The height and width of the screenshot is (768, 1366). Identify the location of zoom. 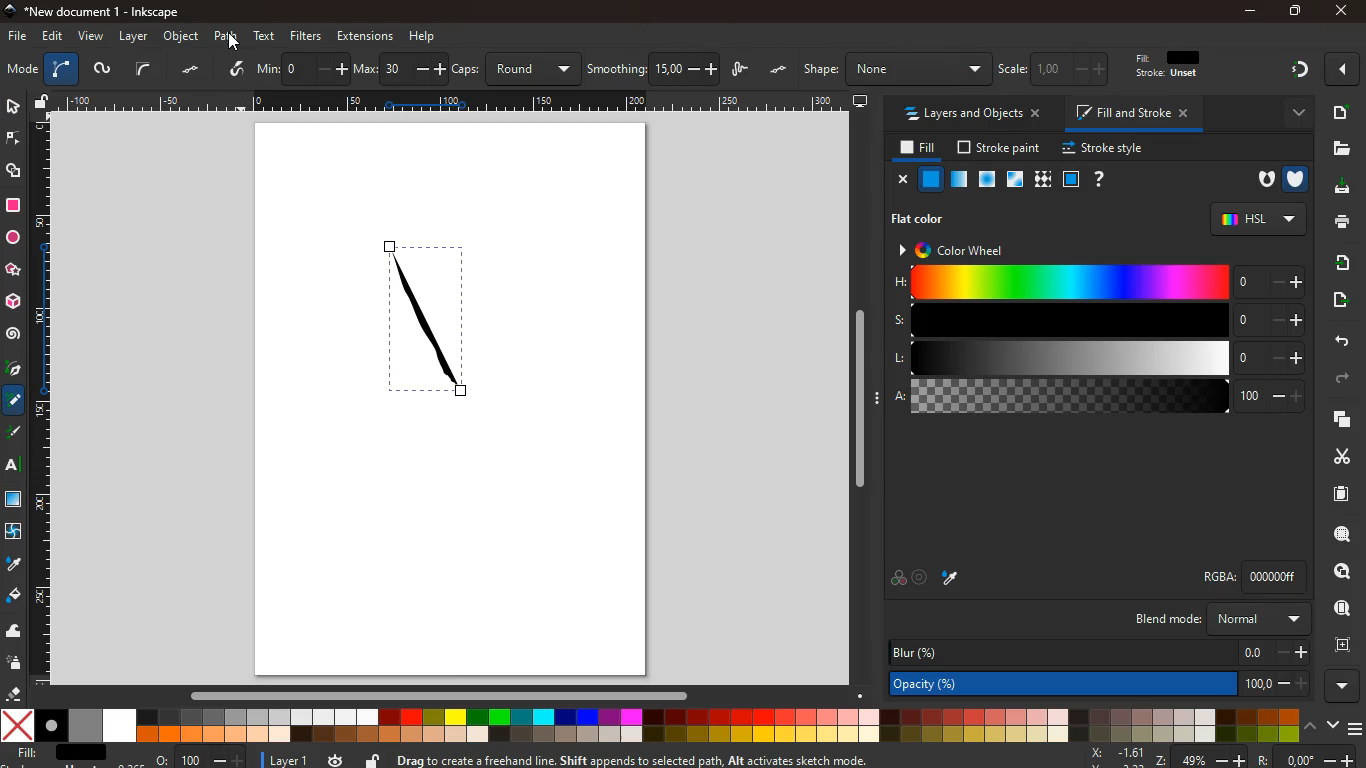
(1221, 757).